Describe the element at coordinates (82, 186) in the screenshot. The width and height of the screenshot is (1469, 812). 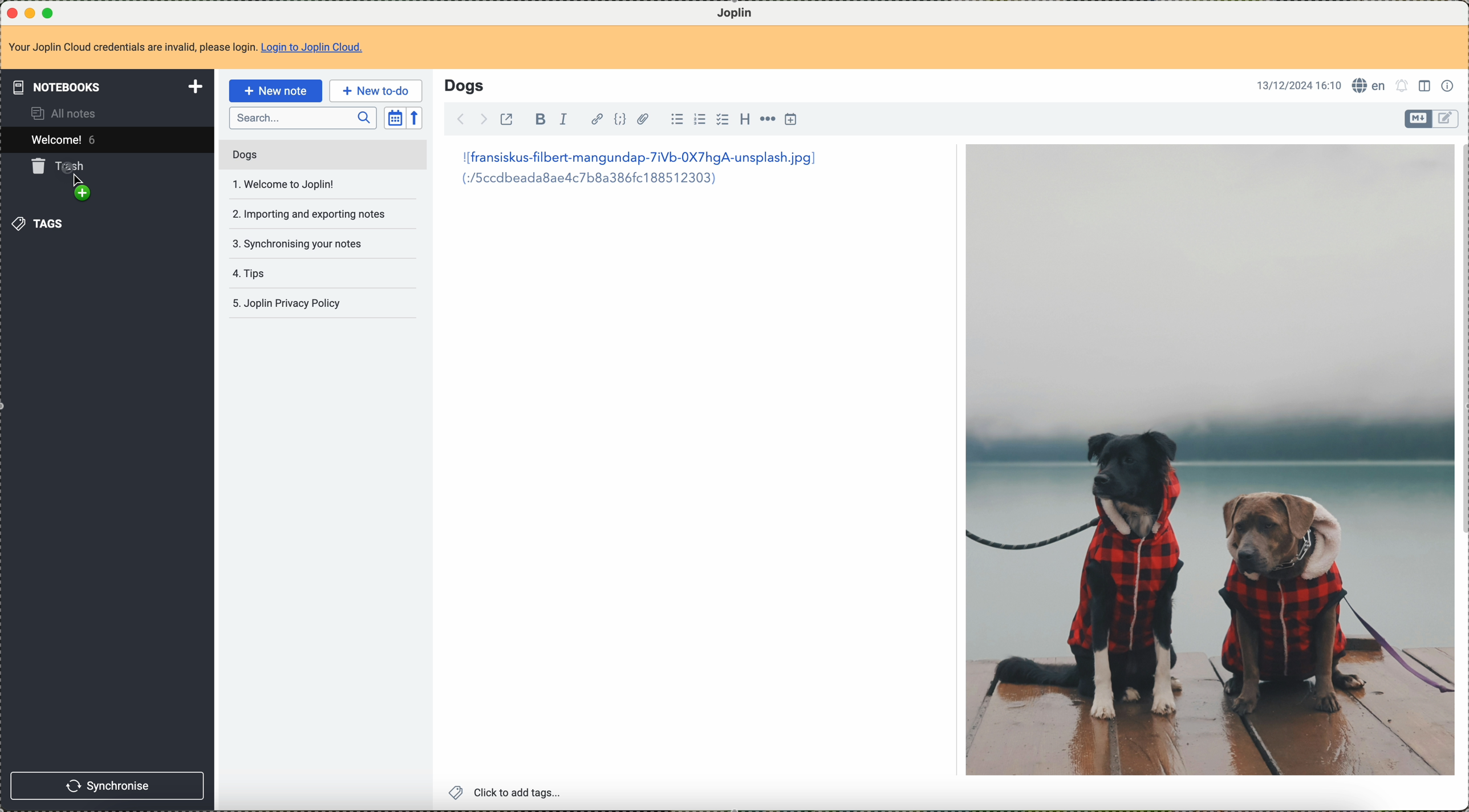
I see `mouse up` at that location.